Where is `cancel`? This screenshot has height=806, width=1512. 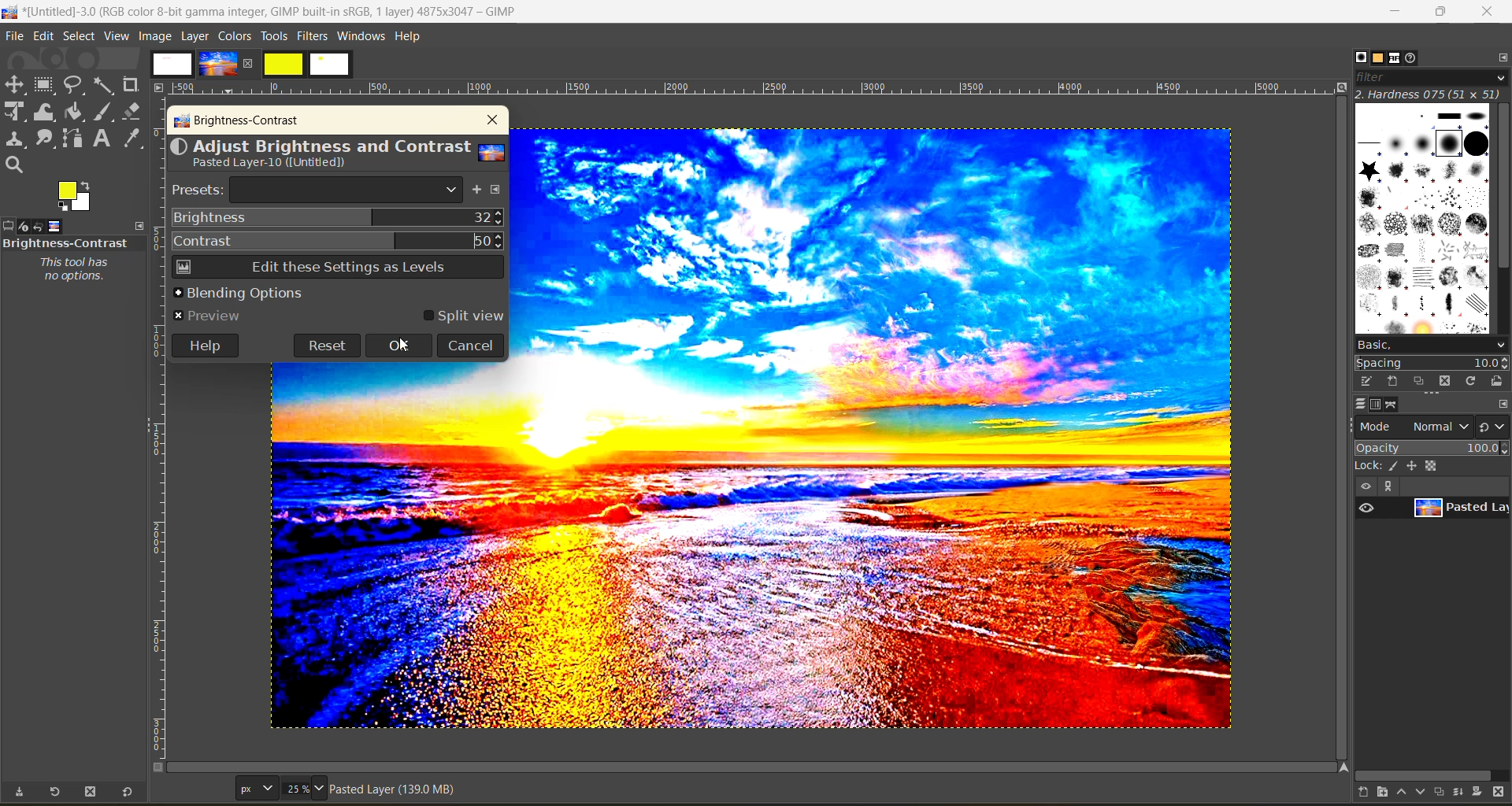
cancel is located at coordinates (470, 345).